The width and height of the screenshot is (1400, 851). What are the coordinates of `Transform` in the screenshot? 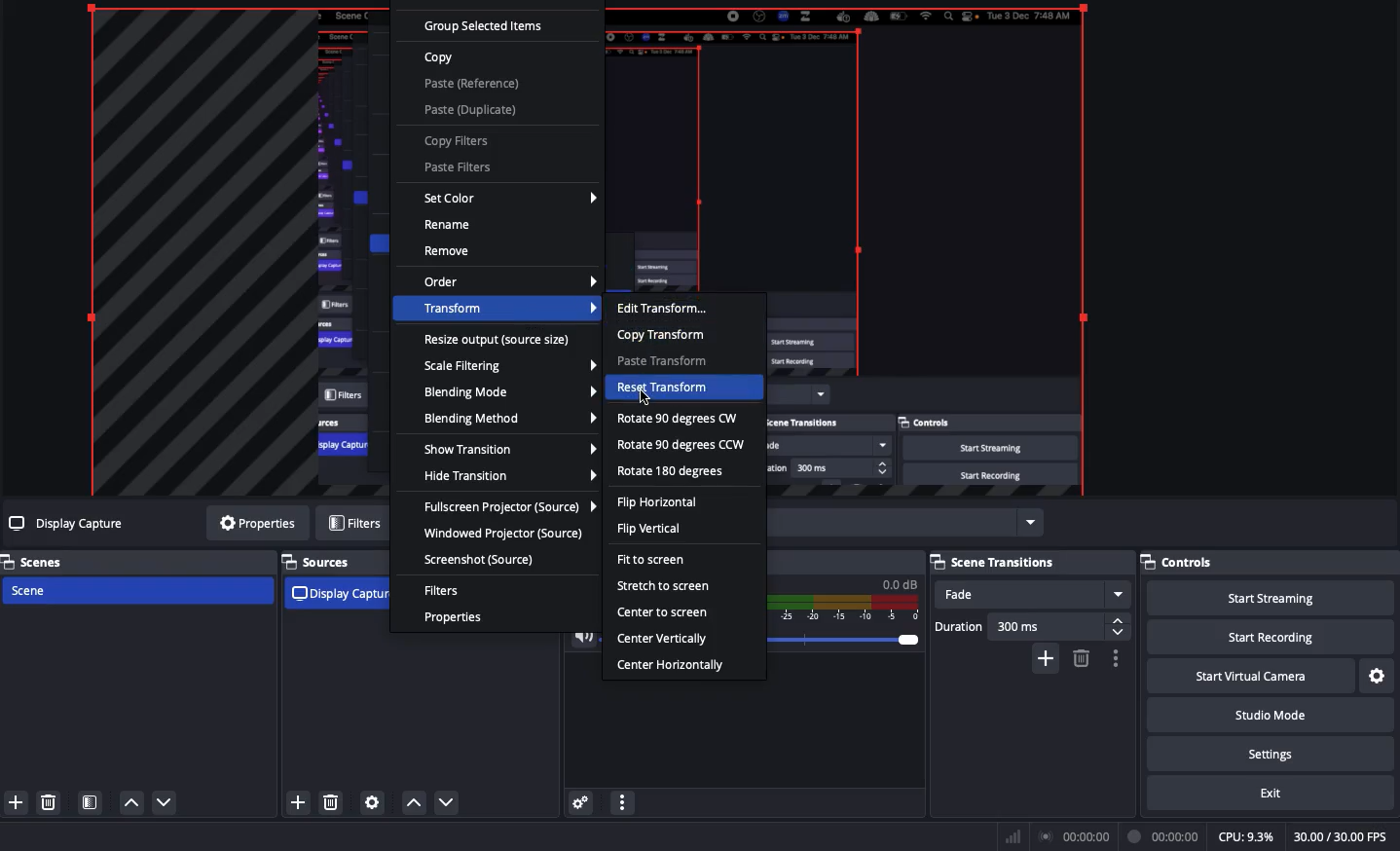 It's located at (503, 312).